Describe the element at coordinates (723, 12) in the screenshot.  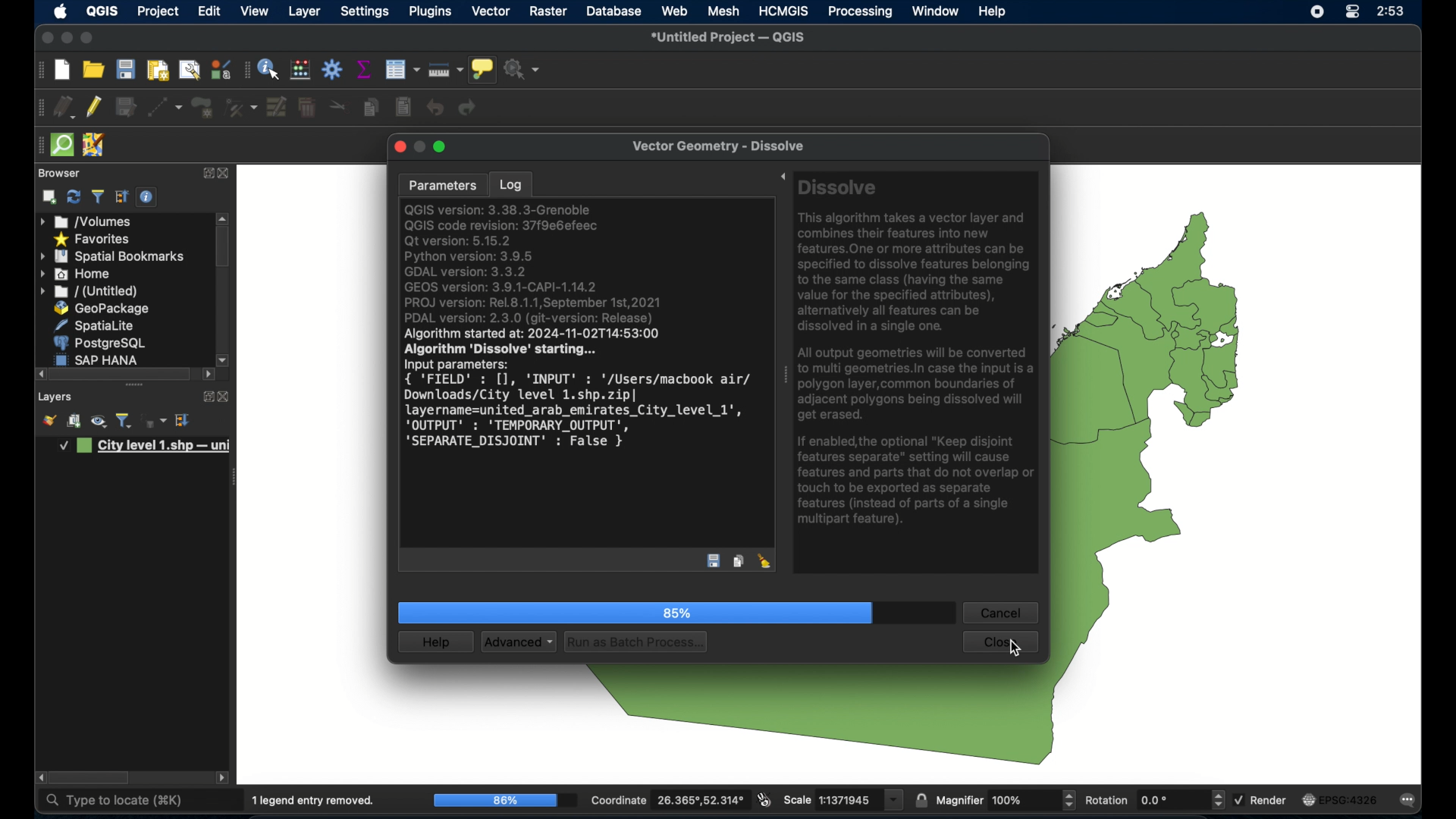
I see `mesh` at that location.